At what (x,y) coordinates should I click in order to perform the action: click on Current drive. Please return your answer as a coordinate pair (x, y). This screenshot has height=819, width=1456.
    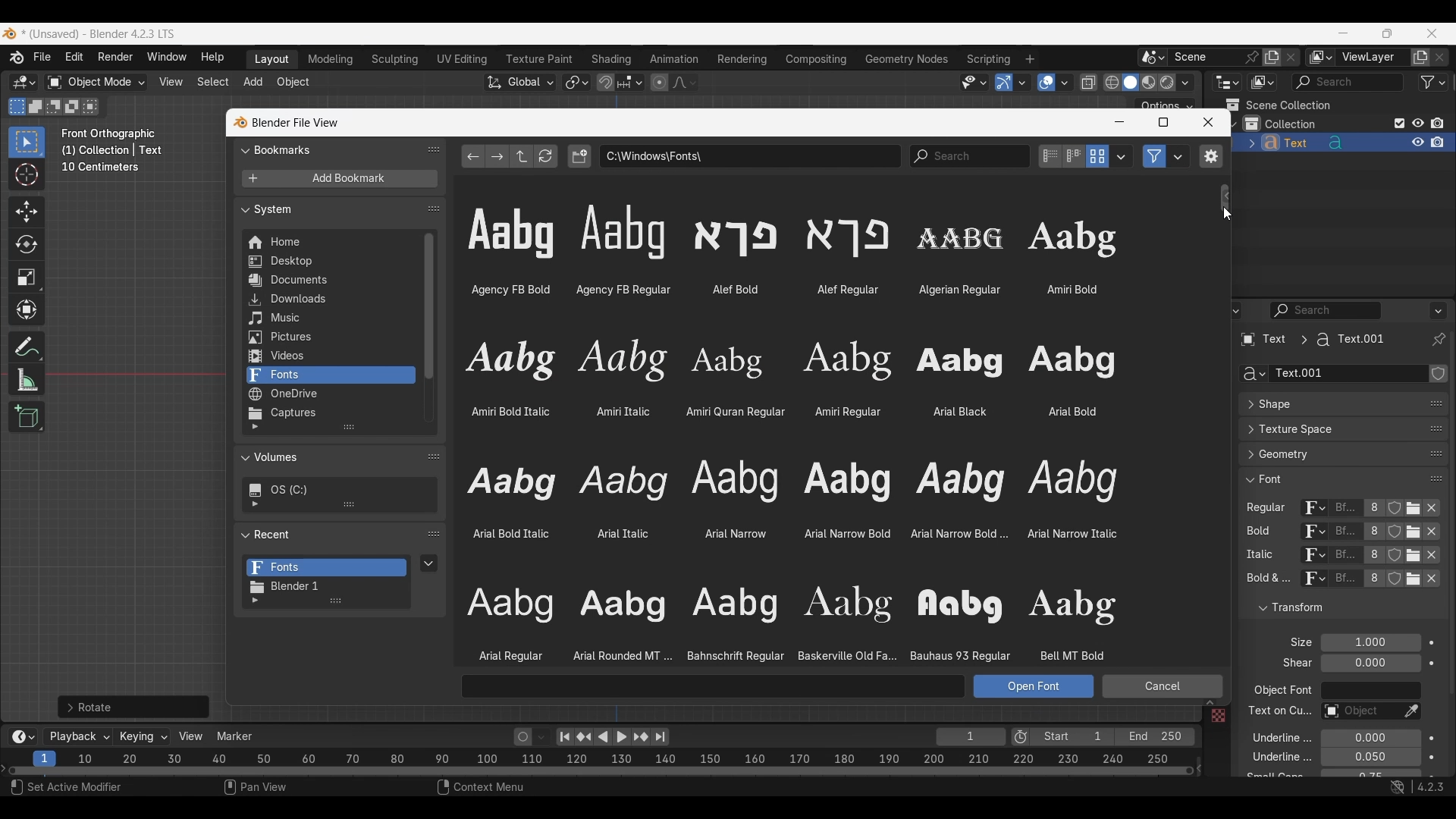
    Looking at the image, I should click on (334, 490).